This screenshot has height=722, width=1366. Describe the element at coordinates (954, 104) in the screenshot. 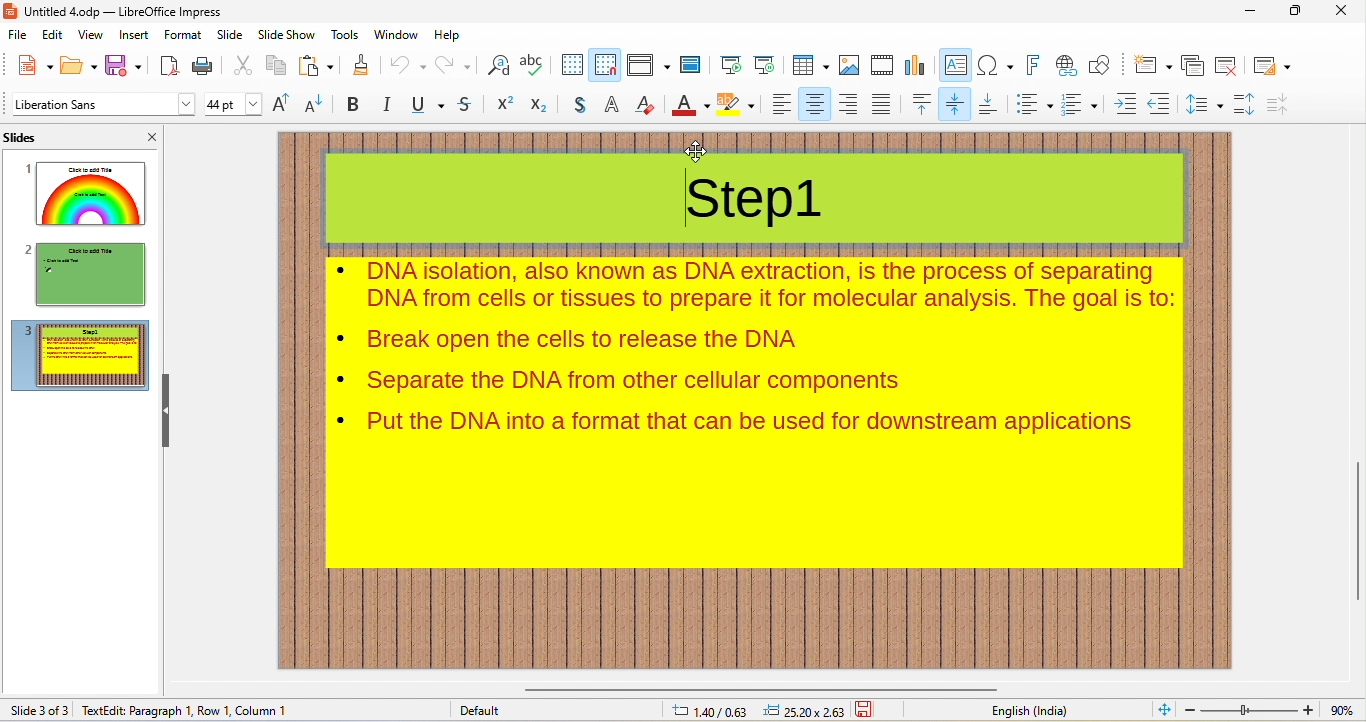

I see `center vertically` at that location.